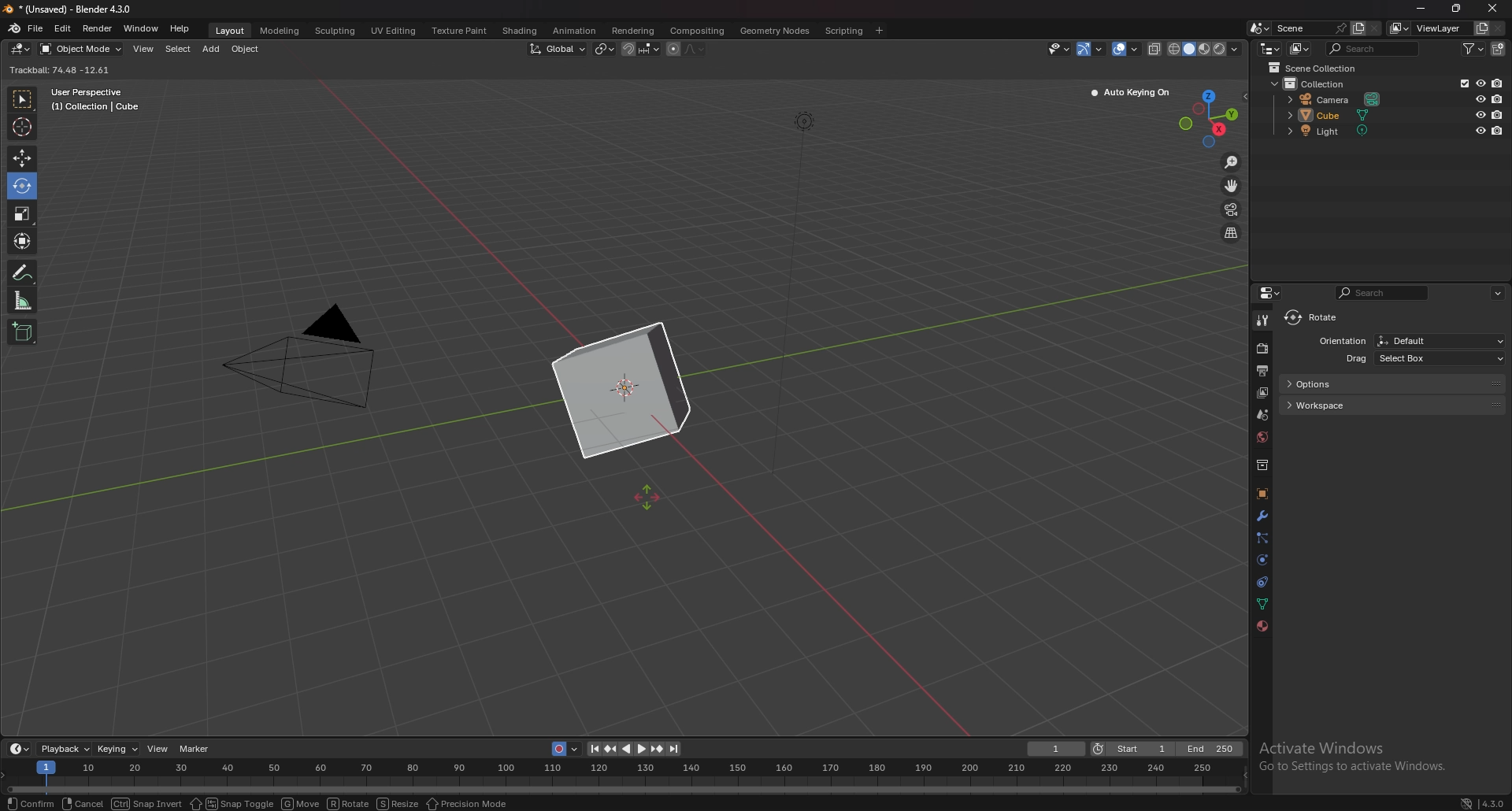 The image size is (1512, 811). I want to click on disable in render, so click(1499, 130).